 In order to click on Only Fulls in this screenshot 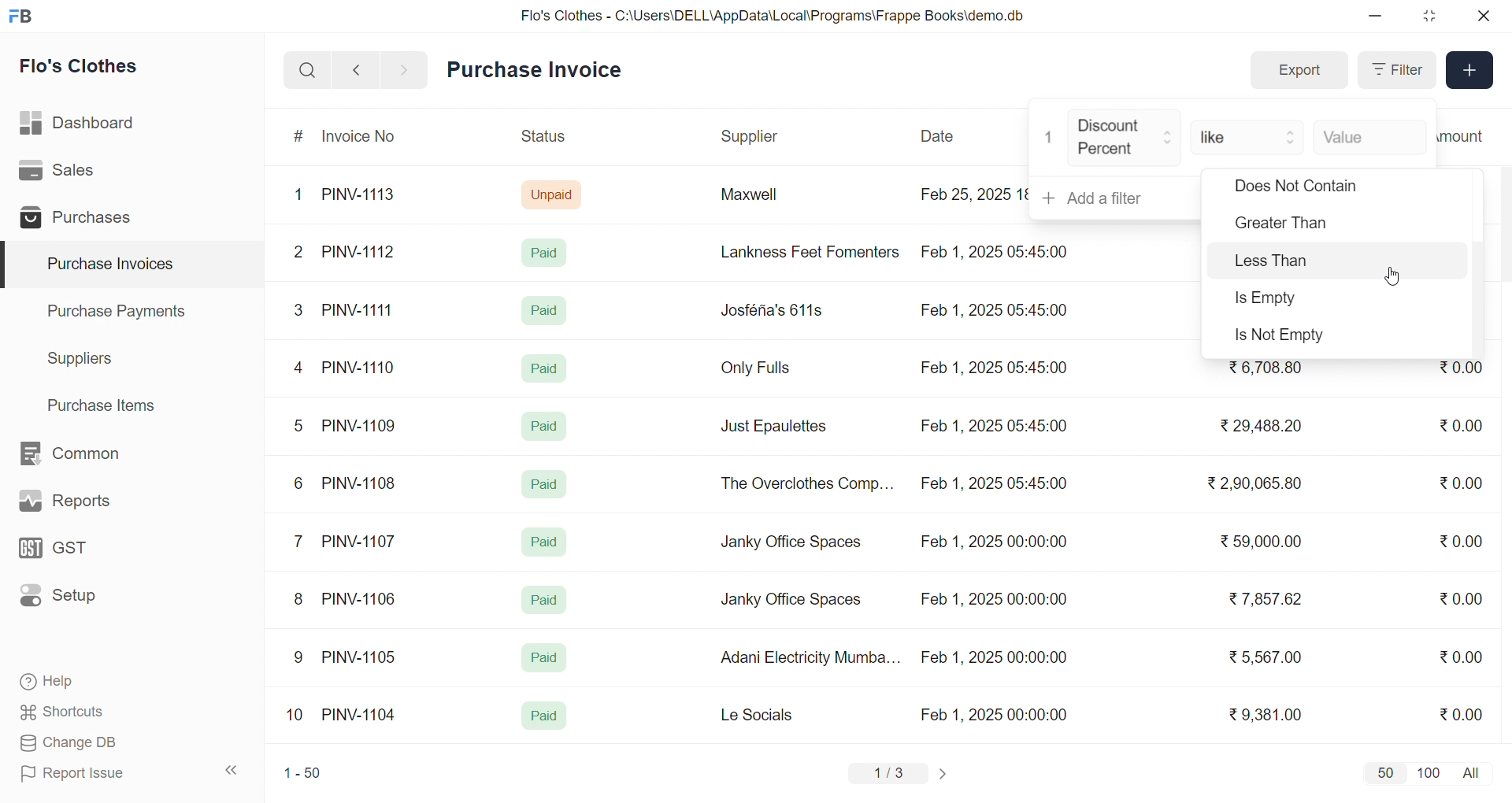, I will do `click(762, 372)`.